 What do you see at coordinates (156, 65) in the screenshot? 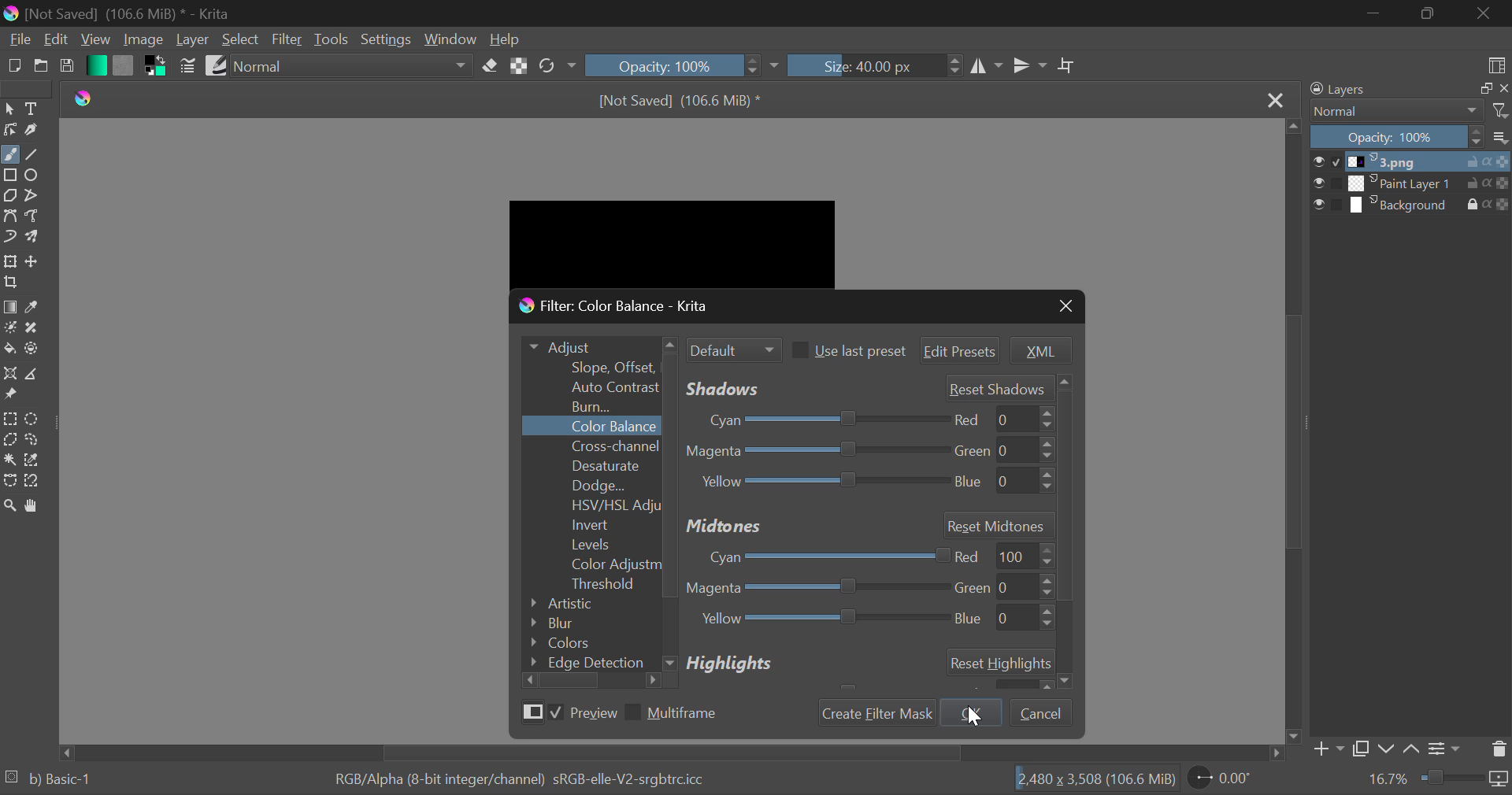
I see `Colors in Use` at bounding box center [156, 65].